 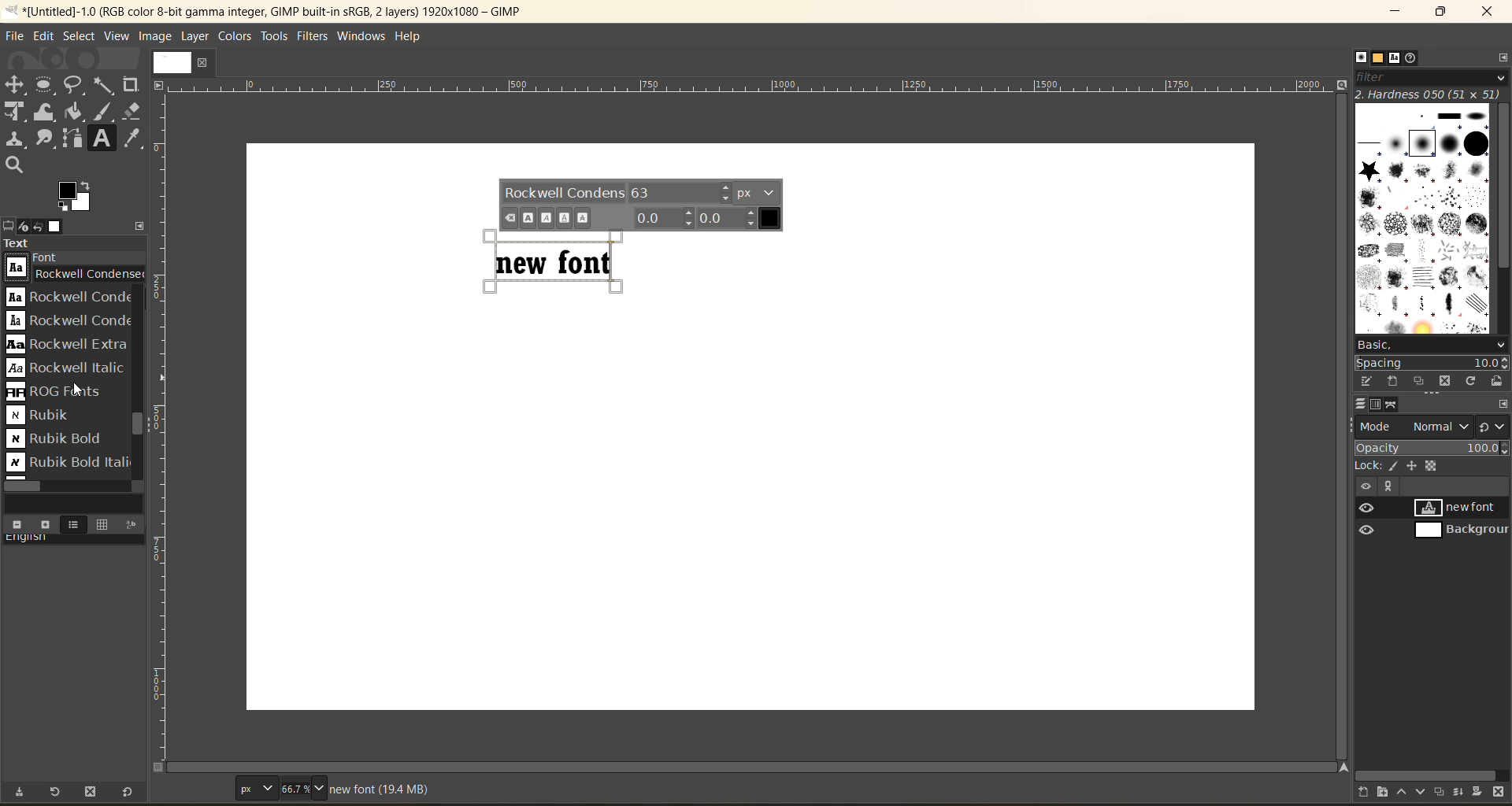 What do you see at coordinates (1360, 519) in the screenshot?
I see `view/hide` at bounding box center [1360, 519].